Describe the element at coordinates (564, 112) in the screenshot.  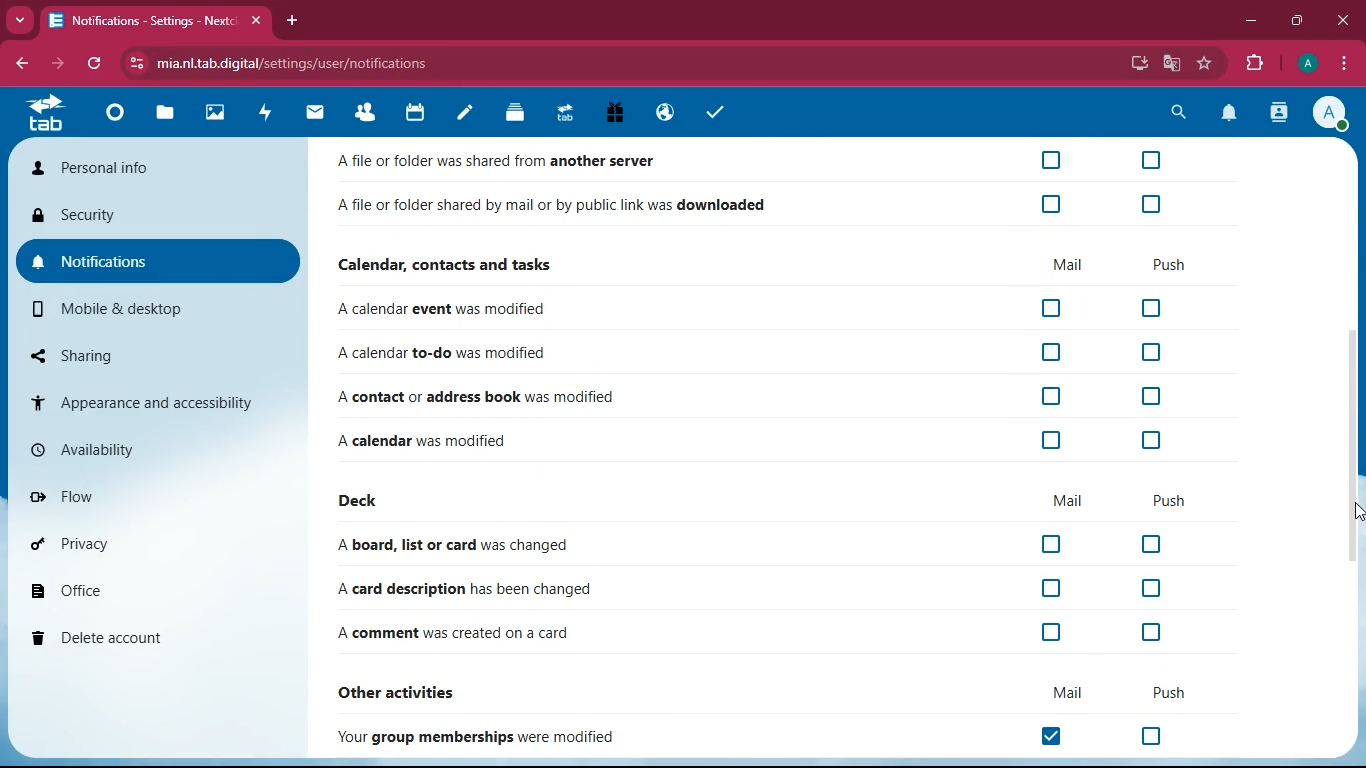
I see `tab` at that location.